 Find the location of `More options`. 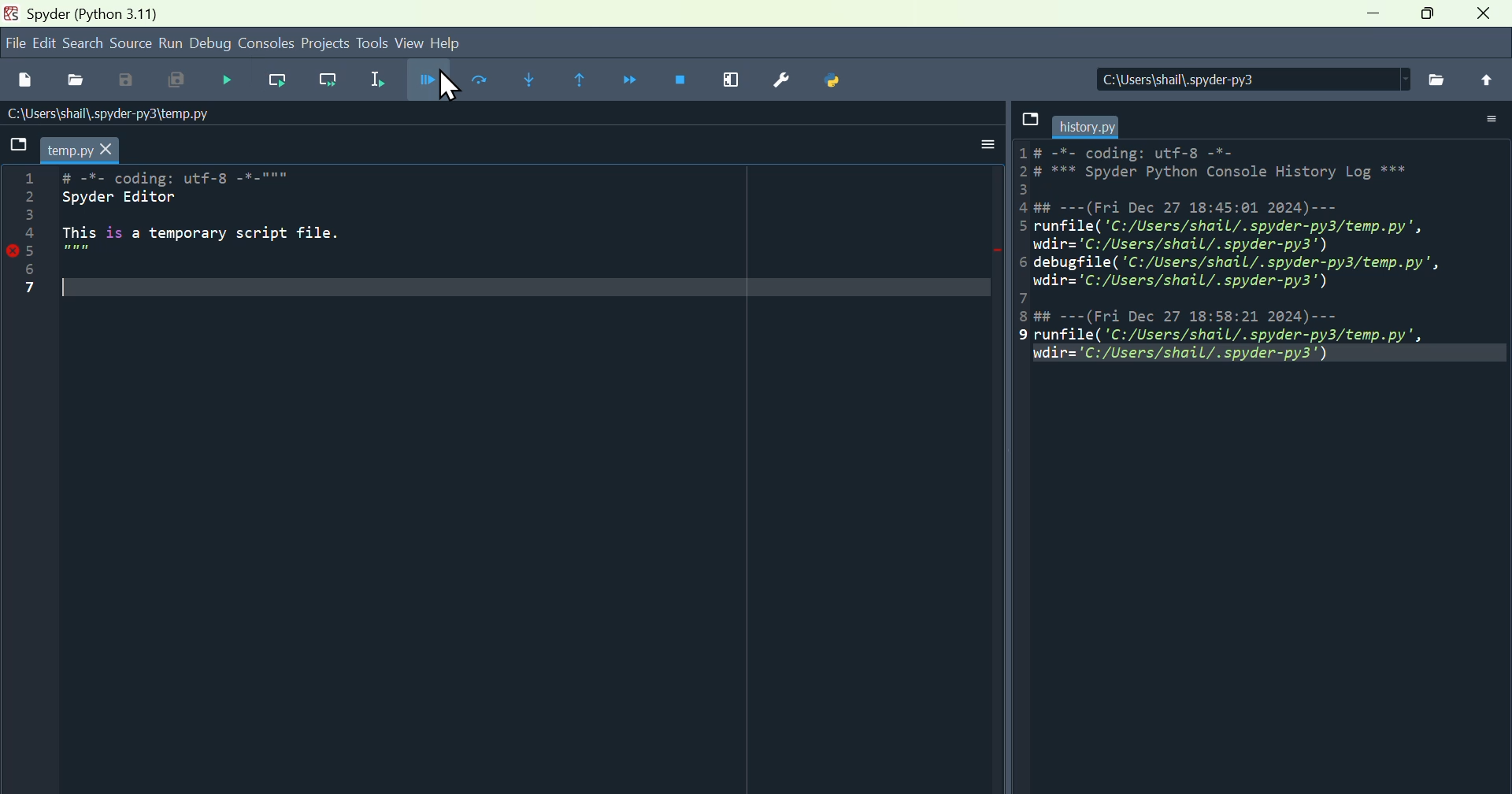

More options is located at coordinates (1492, 115).